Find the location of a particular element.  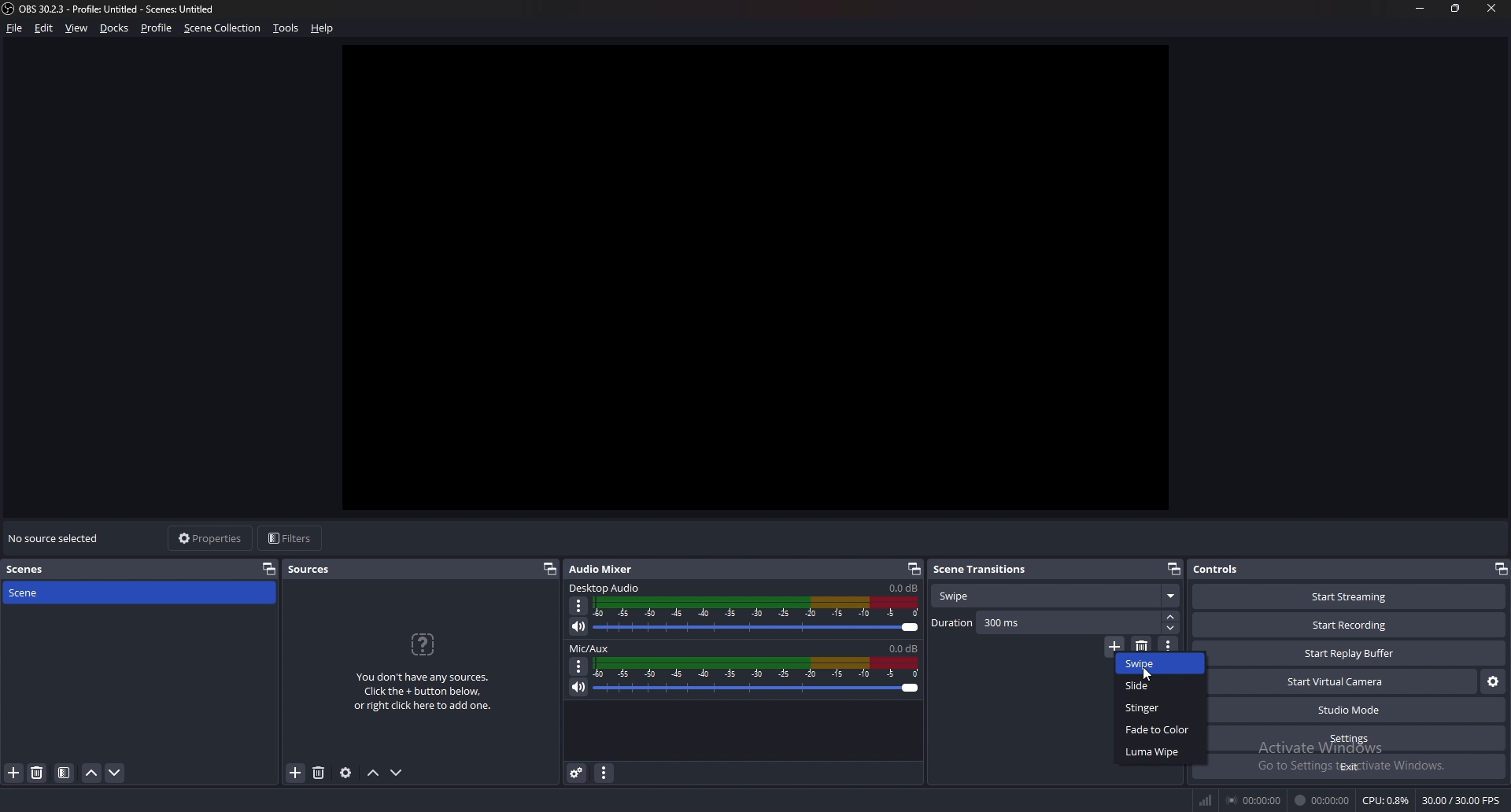

You don't have any sources.
Click the + button below,
or ight dlick here to add one. is located at coordinates (423, 672).